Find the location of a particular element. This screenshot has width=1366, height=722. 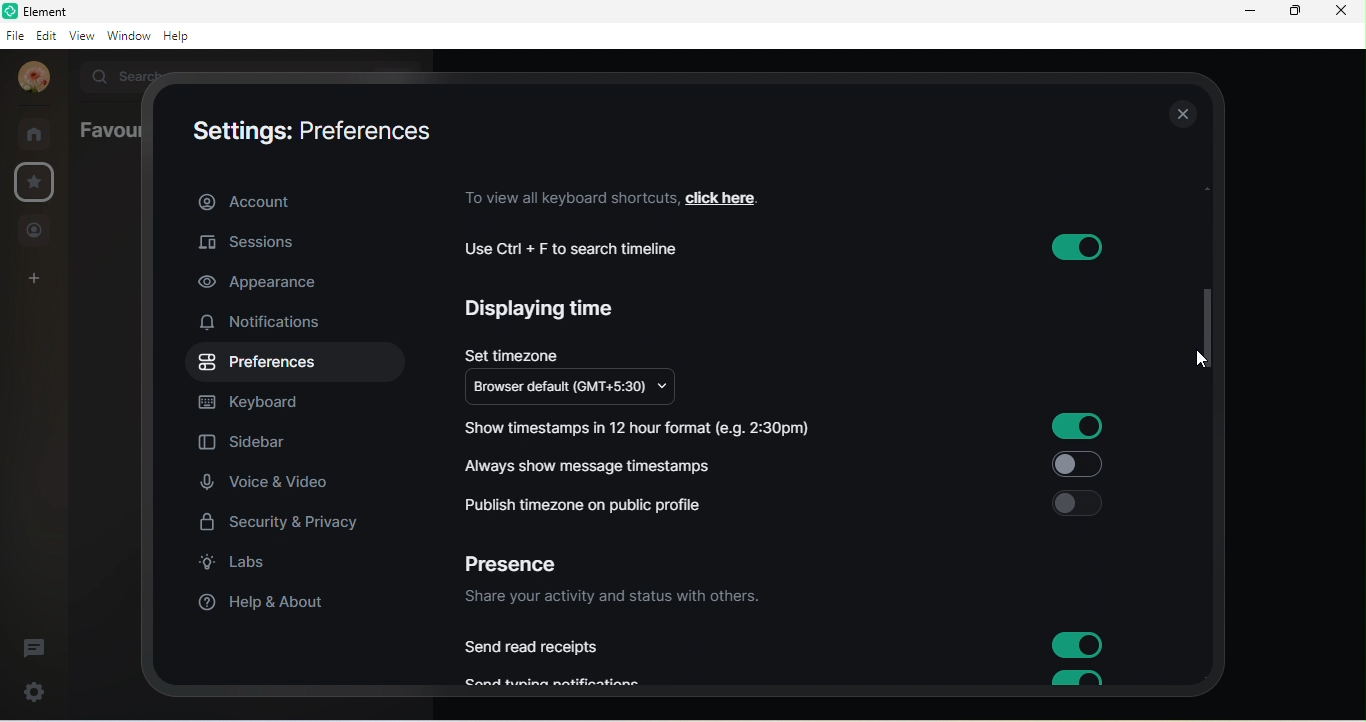

preference is located at coordinates (260, 364).